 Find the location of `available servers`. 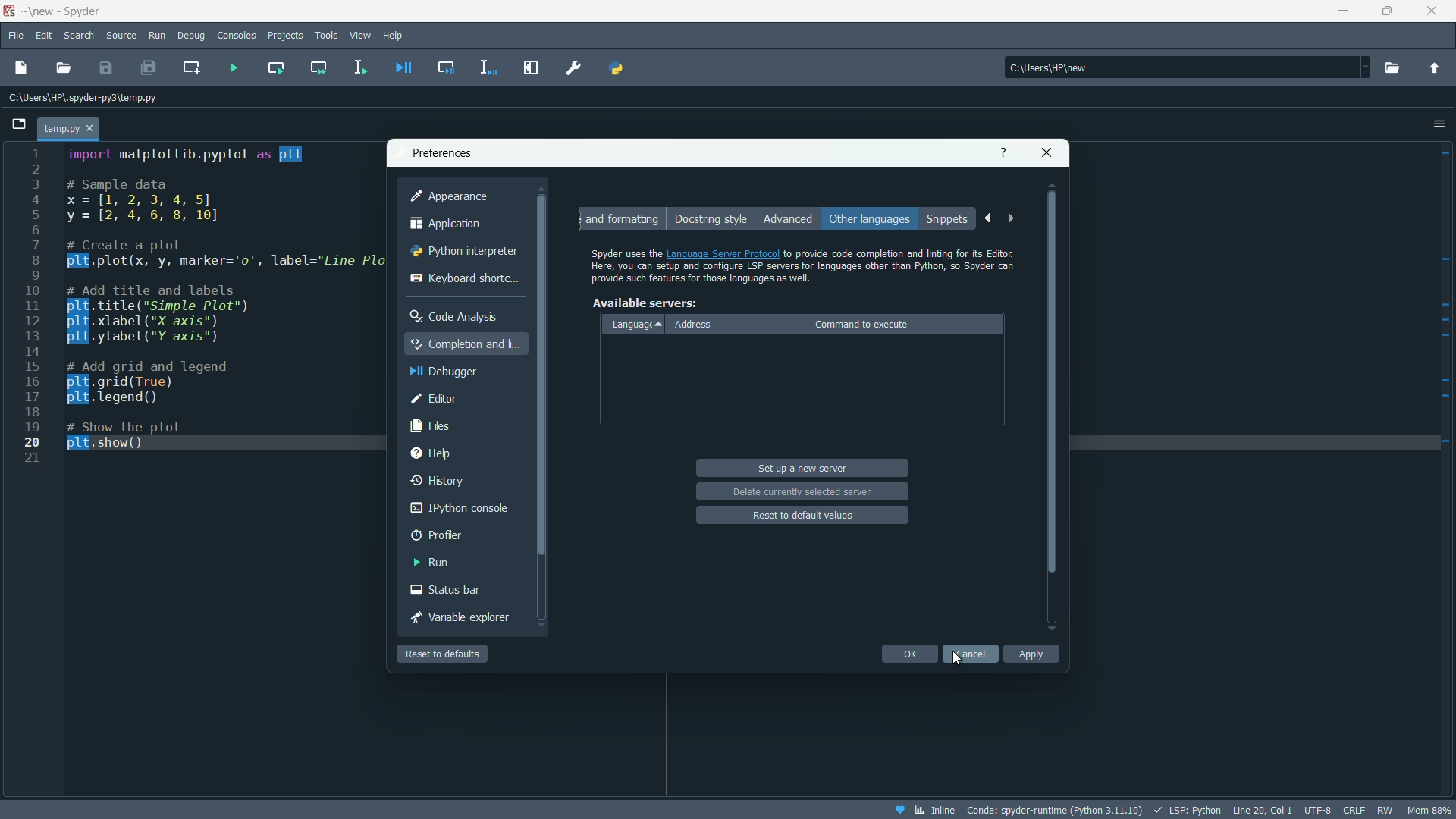

available servers is located at coordinates (644, 303).